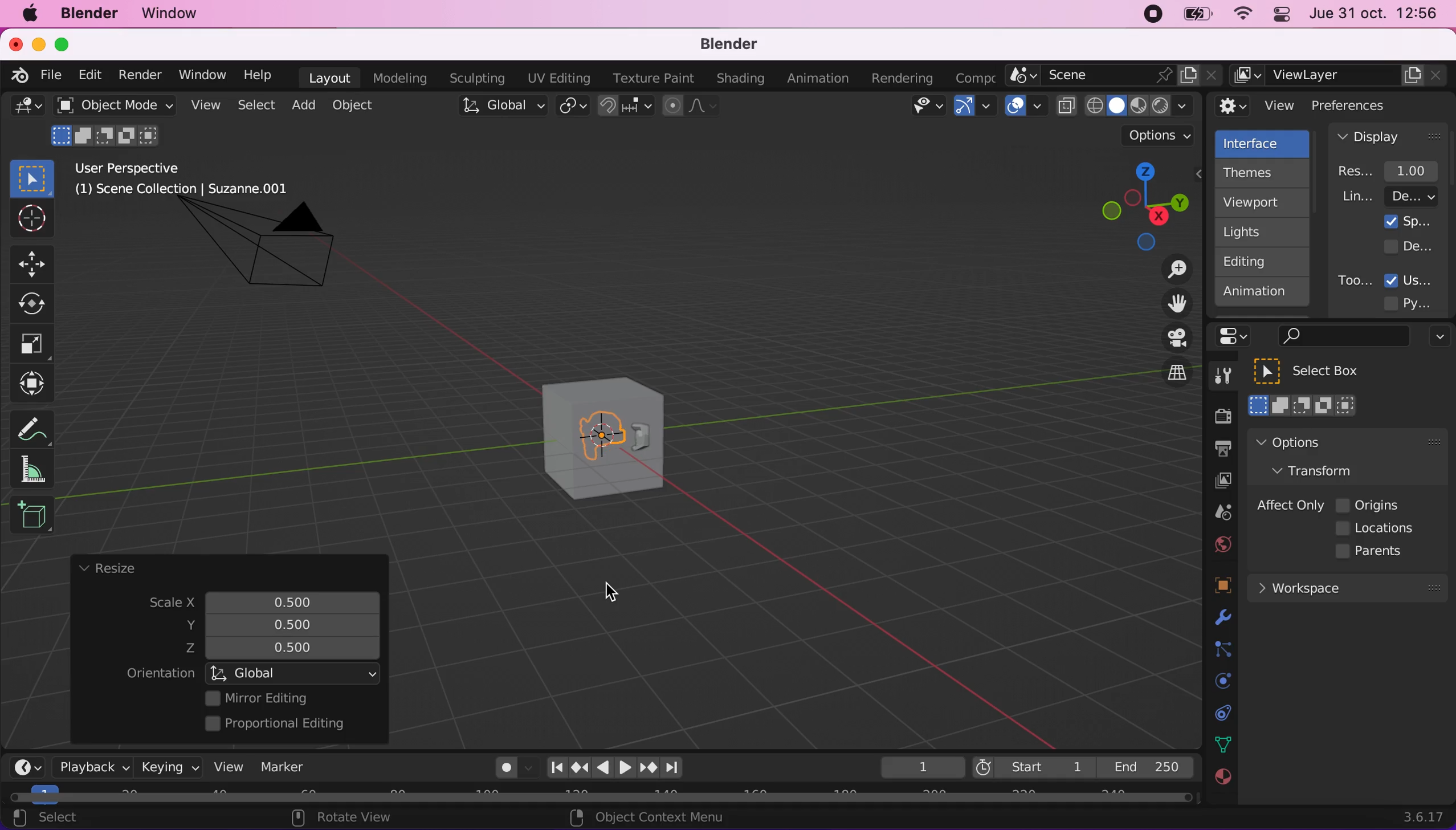 The image size is (1456, 830). I want to click on view layer, so click(1217, 482).